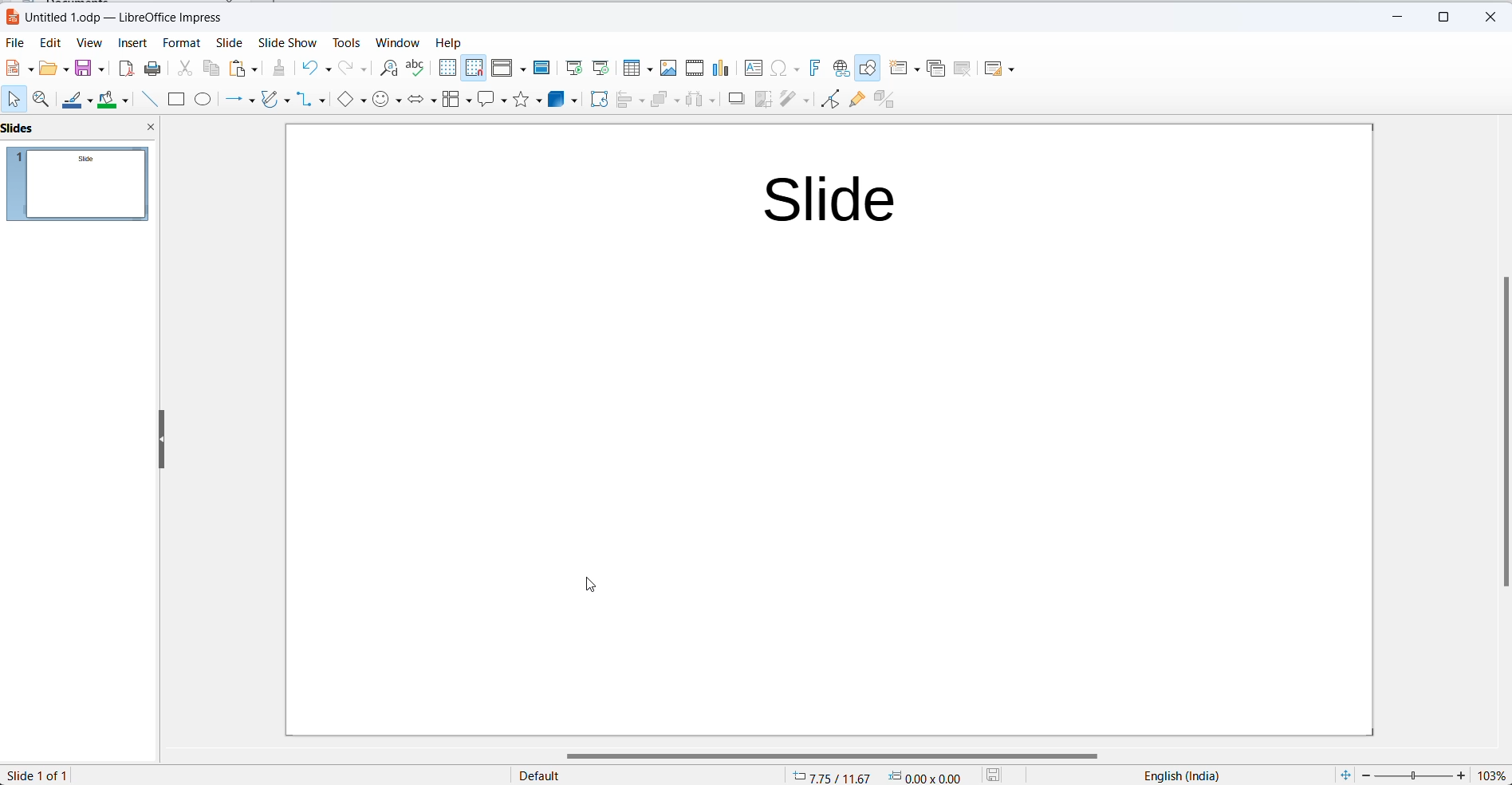 The height and width of the screenshot is (785, 1512). I want to click on minimize, so click(1396, 20).